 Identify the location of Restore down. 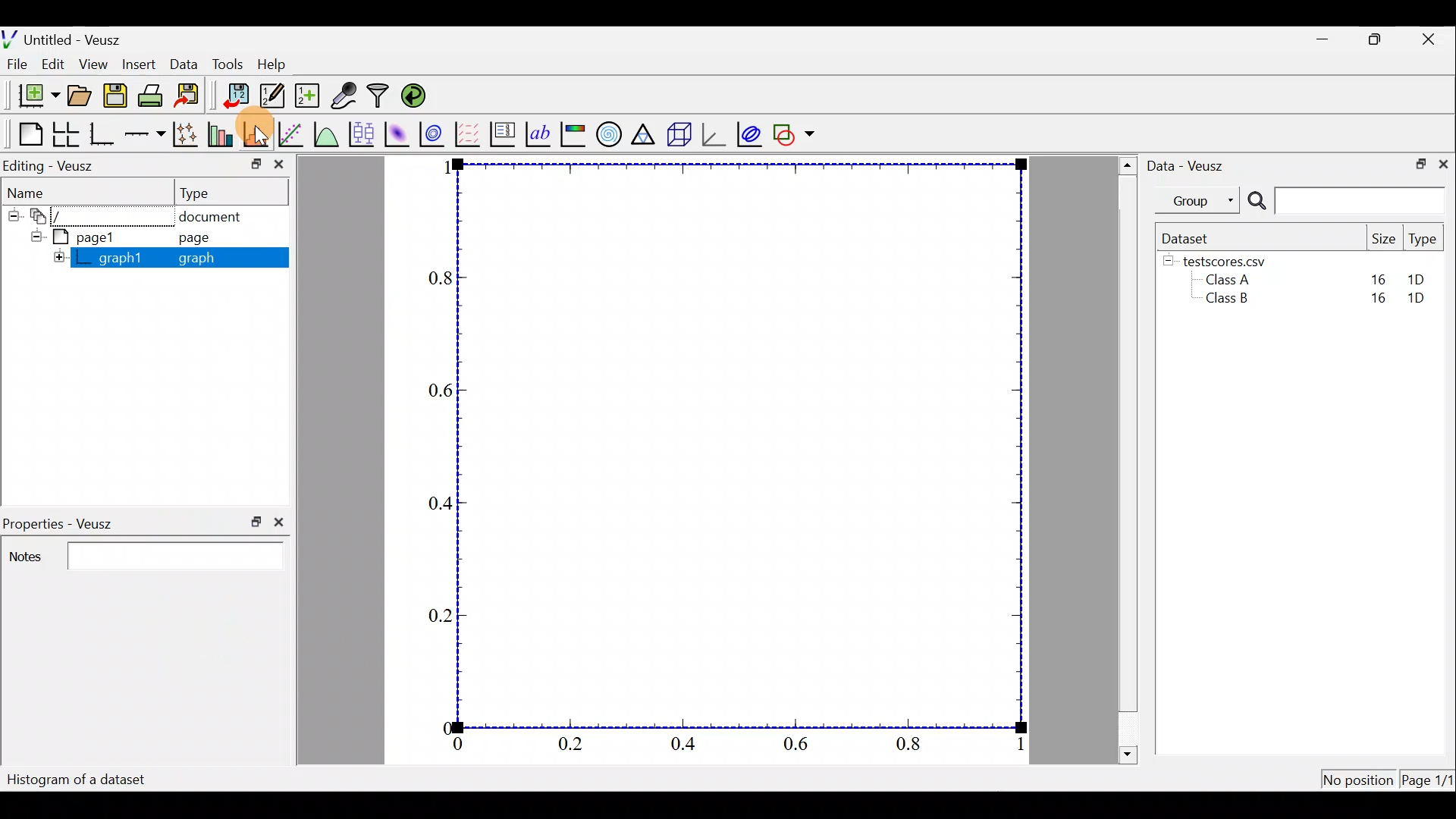
(1419, 165).